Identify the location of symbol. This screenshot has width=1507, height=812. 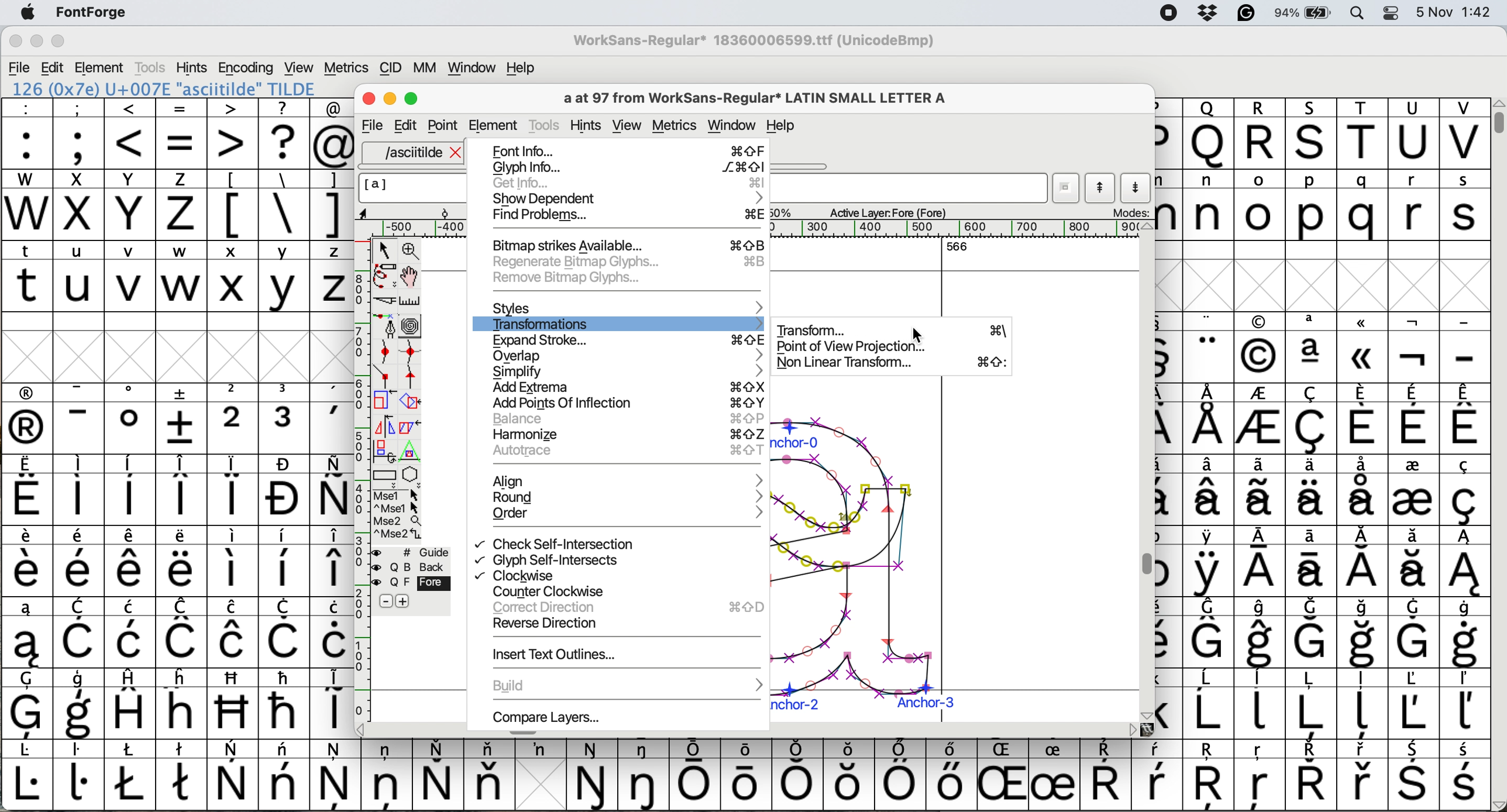
(1464, 562).